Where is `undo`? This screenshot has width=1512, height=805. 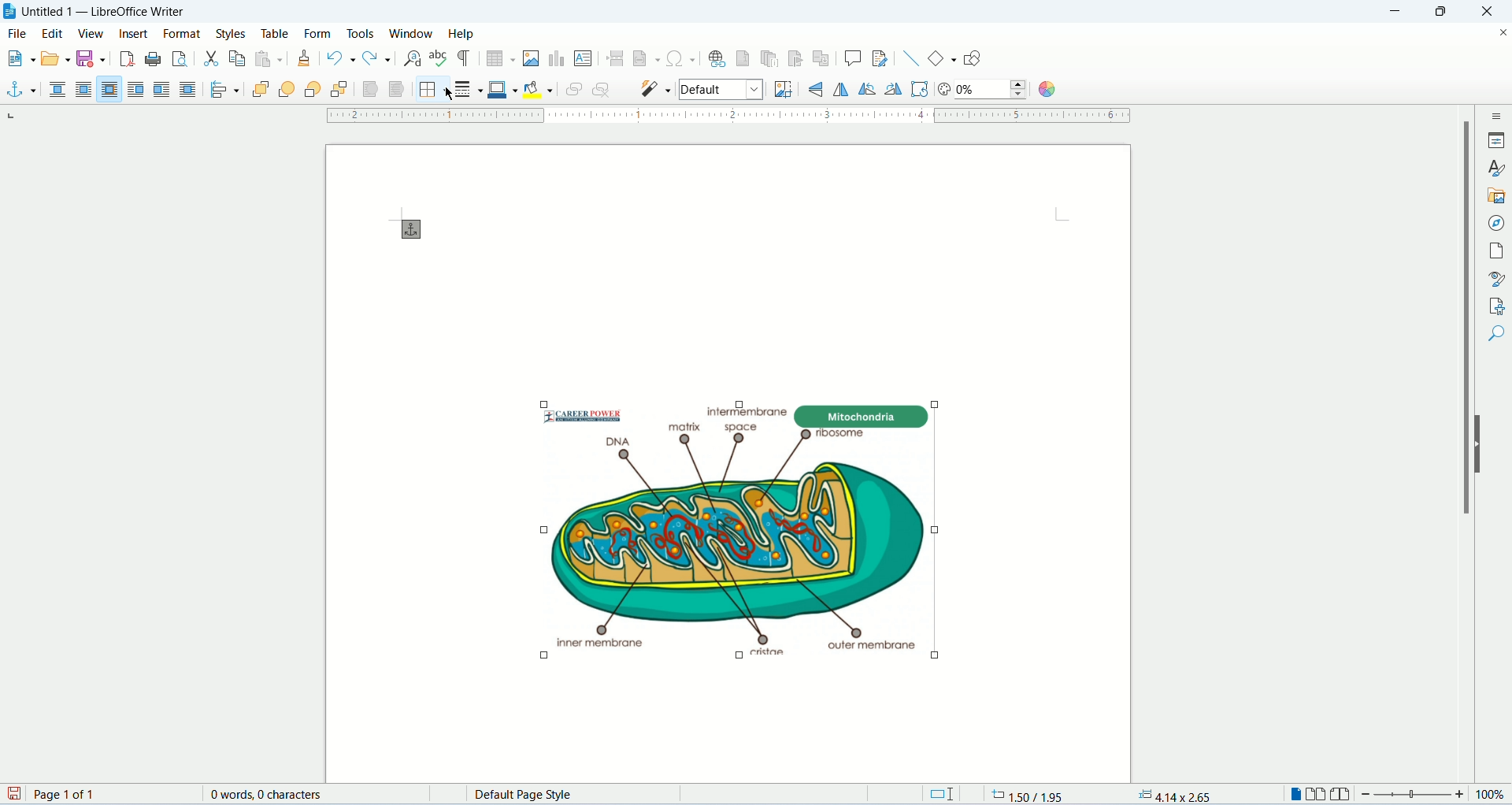 undo is located at coordinates (343, 58).